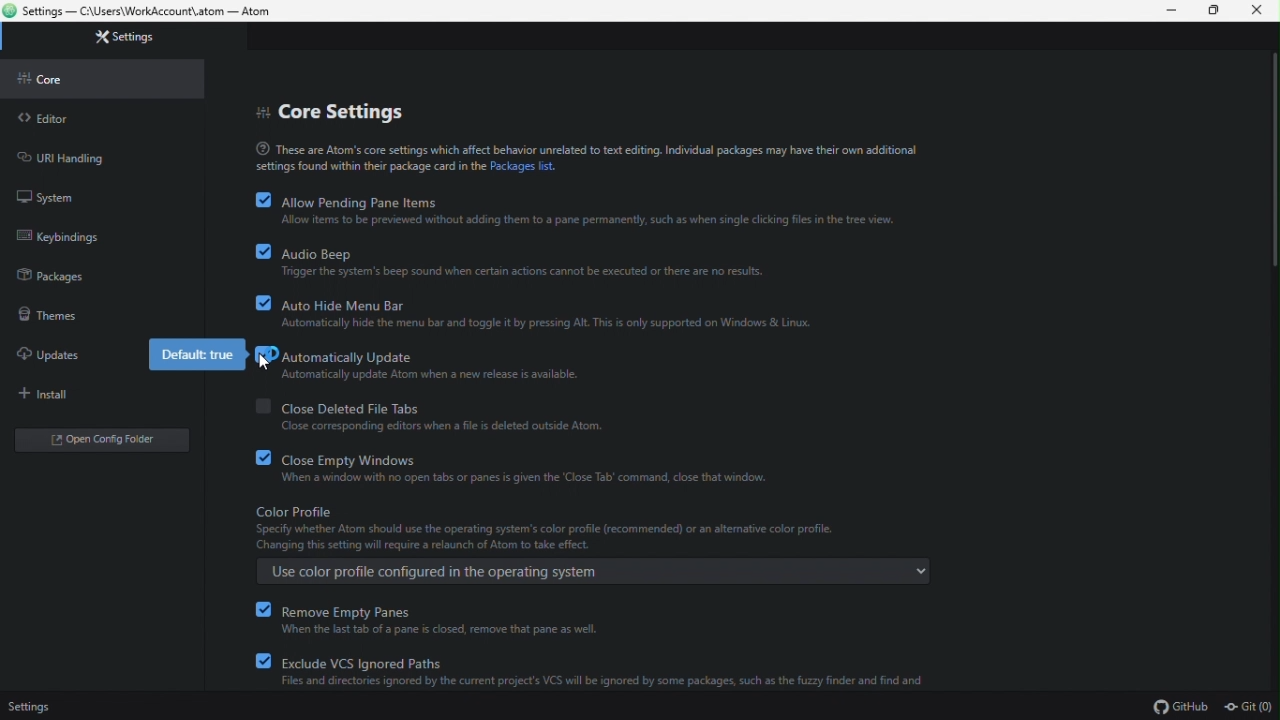 Image resolution: width=1280 pixels, height=720 pixels. I want to click on auto hide menu bar, so click(536, 312).